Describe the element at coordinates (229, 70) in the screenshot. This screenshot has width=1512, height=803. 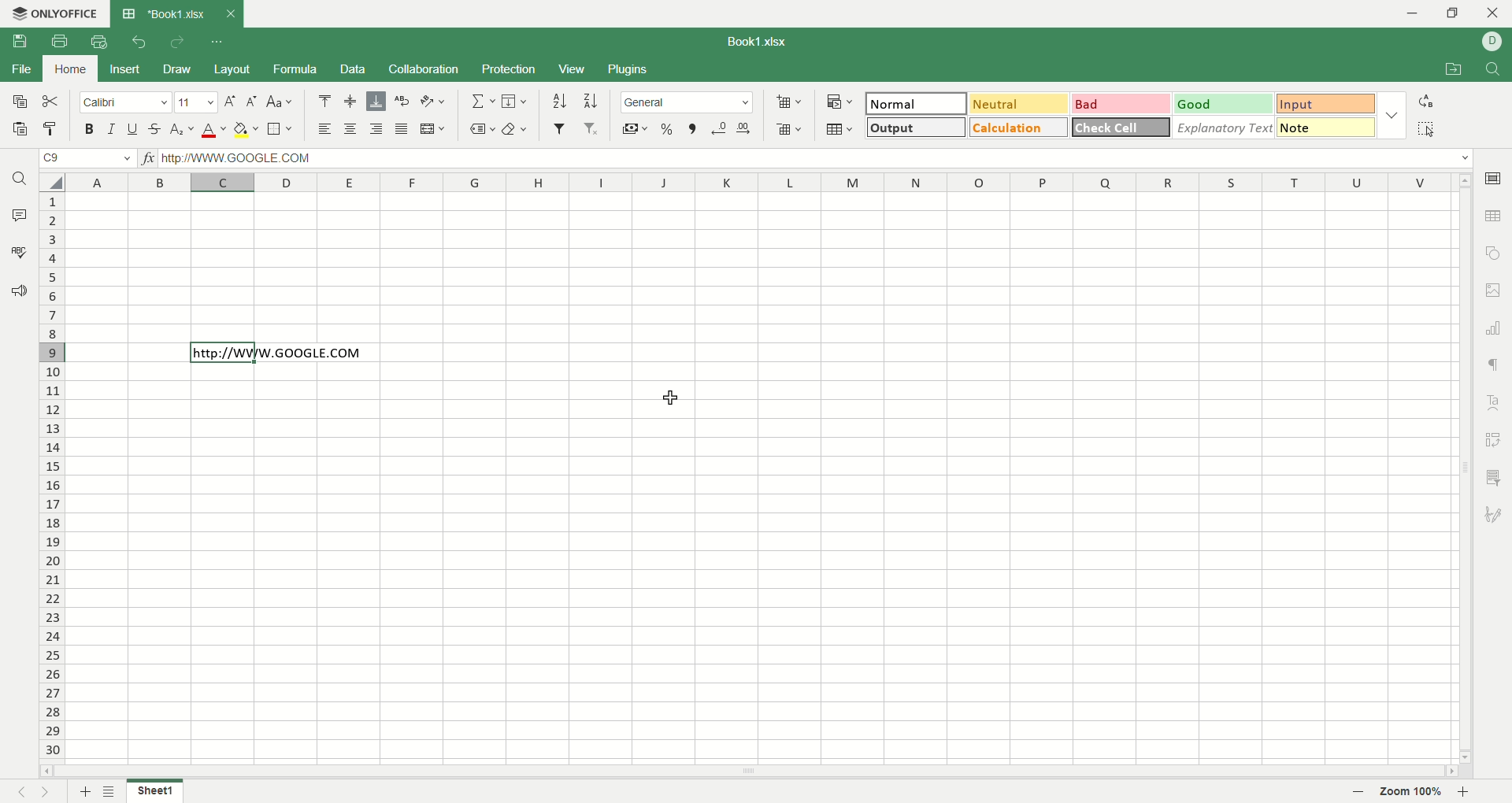
I see `layout` at that location.